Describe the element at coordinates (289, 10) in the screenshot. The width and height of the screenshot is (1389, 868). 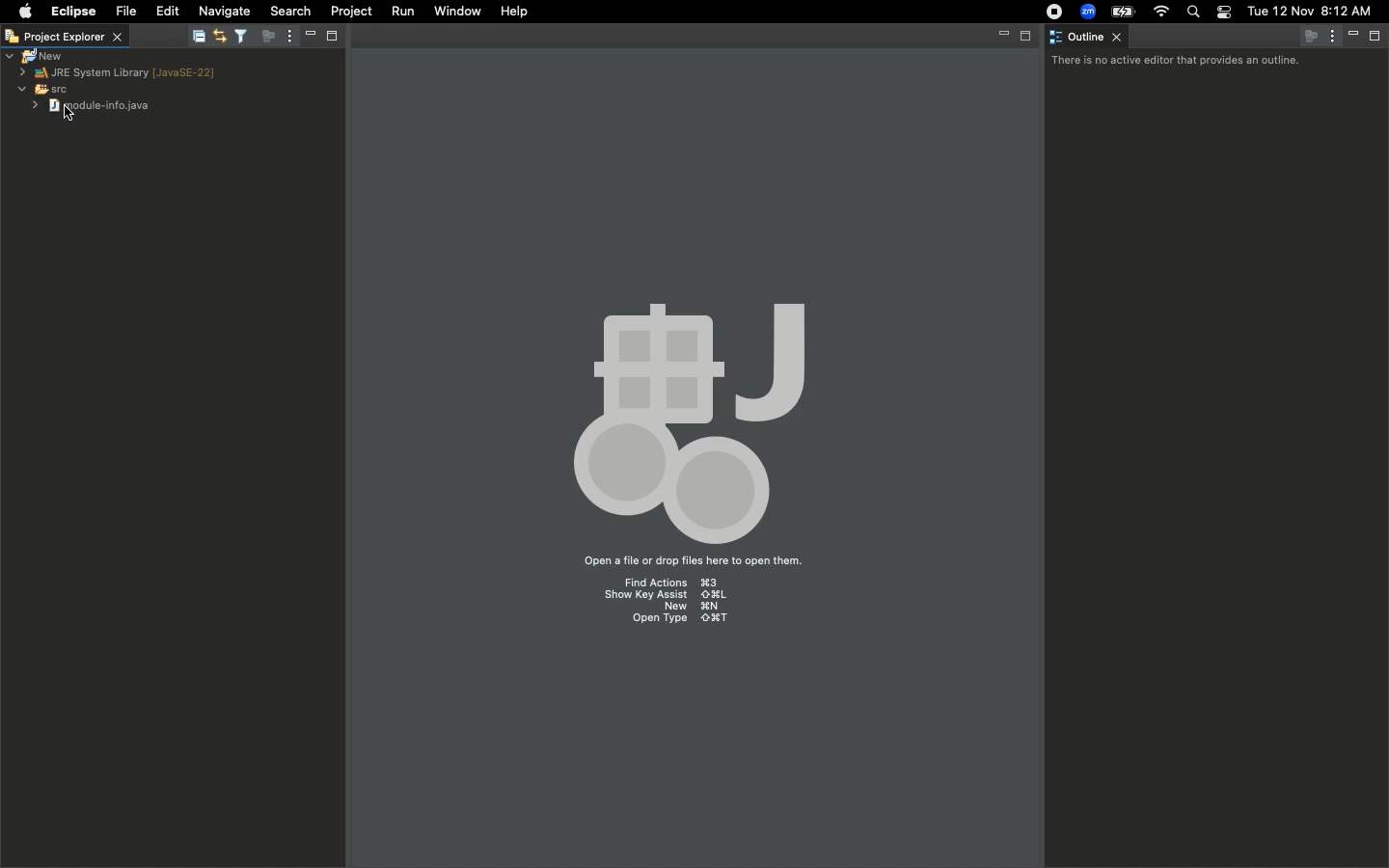
I see `Search` at that location.